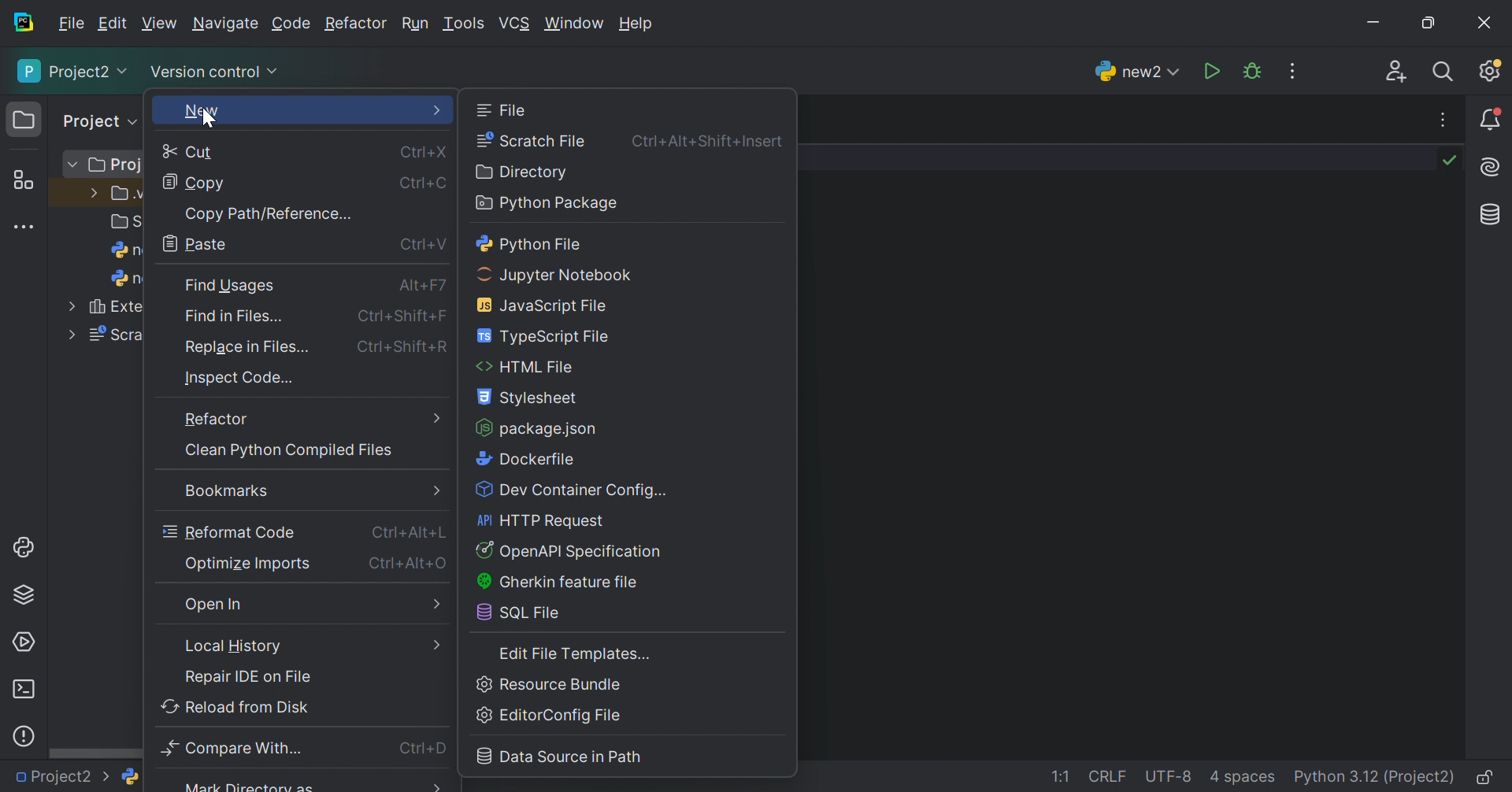  Describe the element at coordinates (291, 24) in the screenshot. I see `Code` at that location.